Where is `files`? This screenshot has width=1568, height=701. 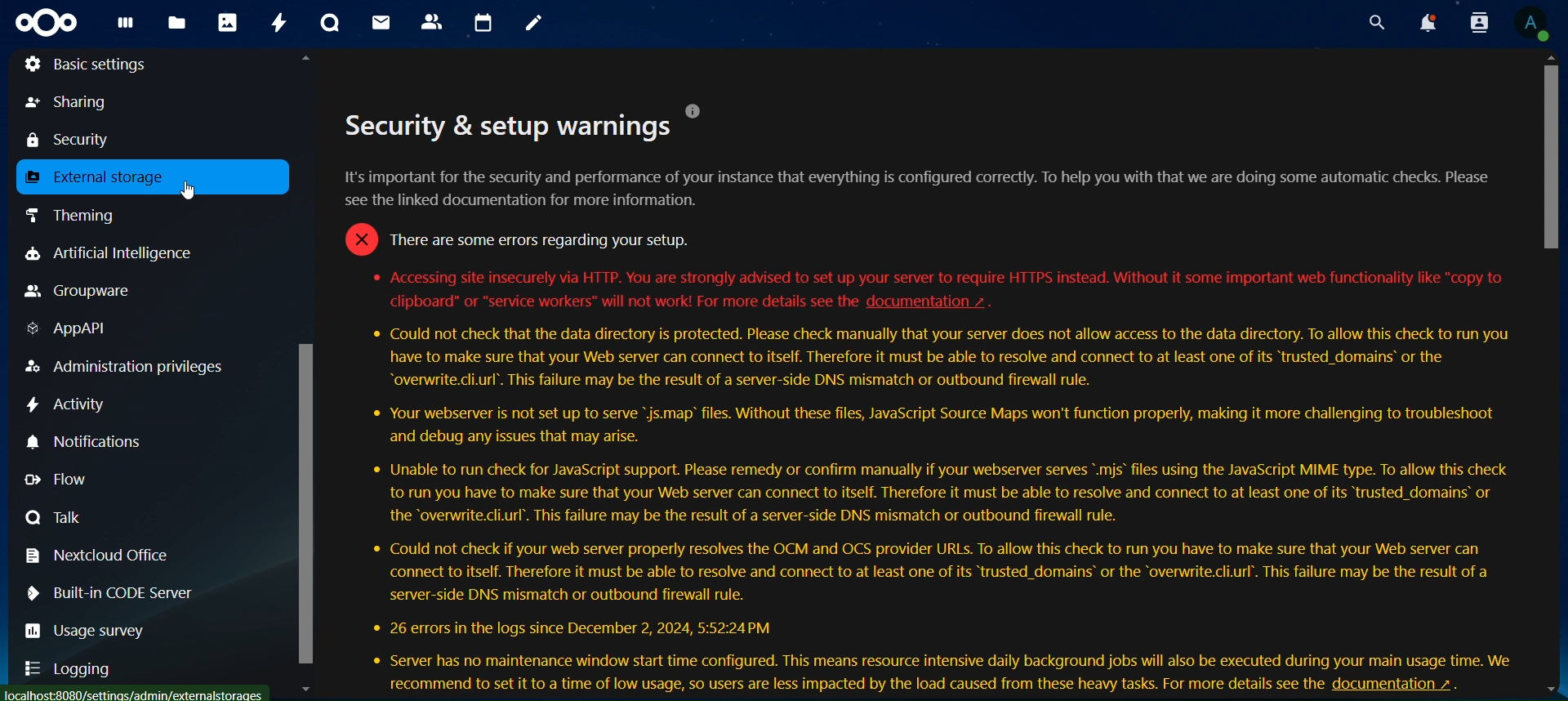
files is located at coordinates (176, 25).